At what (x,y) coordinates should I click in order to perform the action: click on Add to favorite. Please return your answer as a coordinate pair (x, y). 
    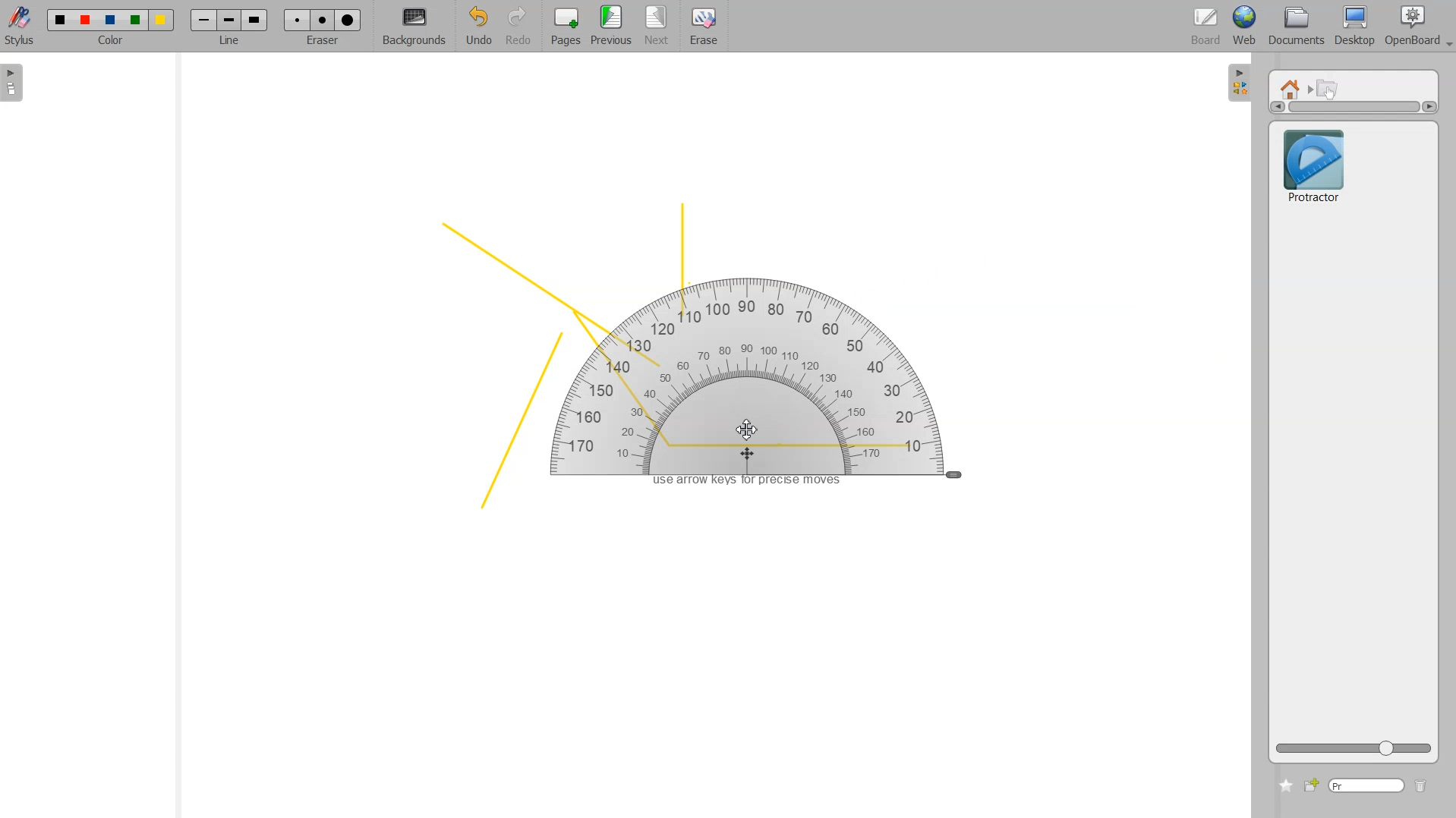
    Looking at the image, I should click on (1285, 785).